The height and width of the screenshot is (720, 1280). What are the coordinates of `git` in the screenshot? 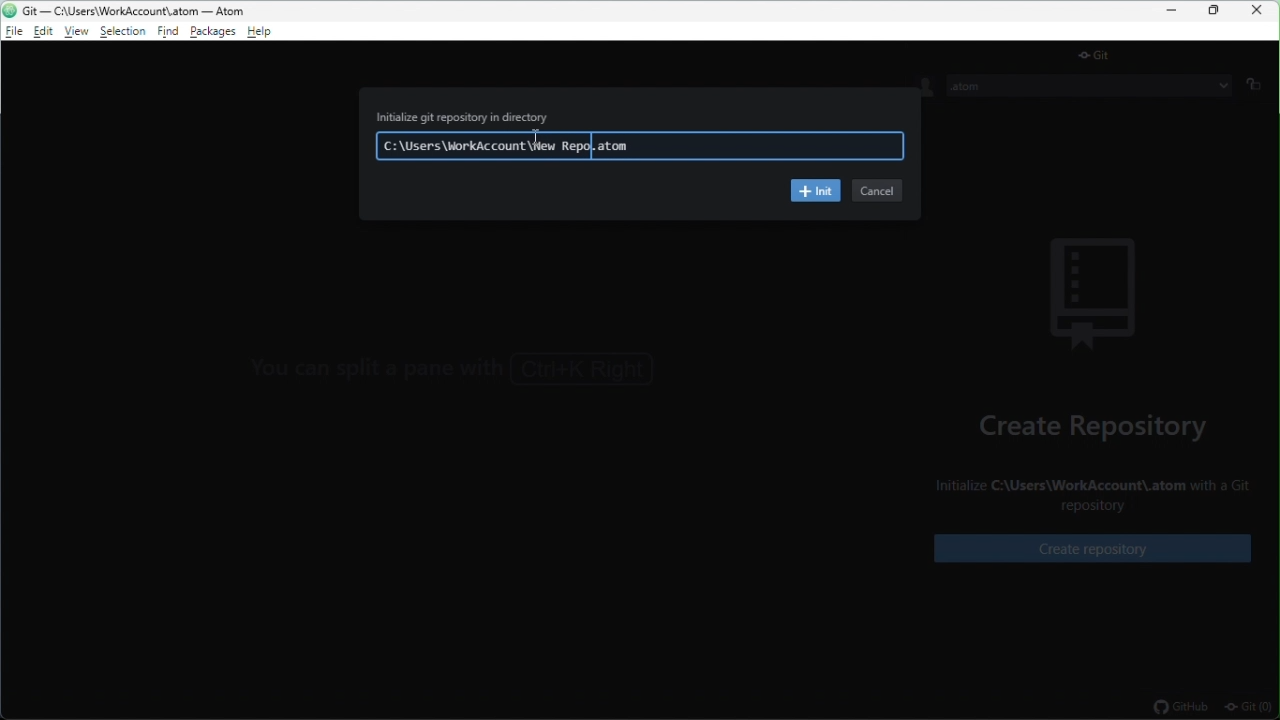 It's located at (1102, 53).